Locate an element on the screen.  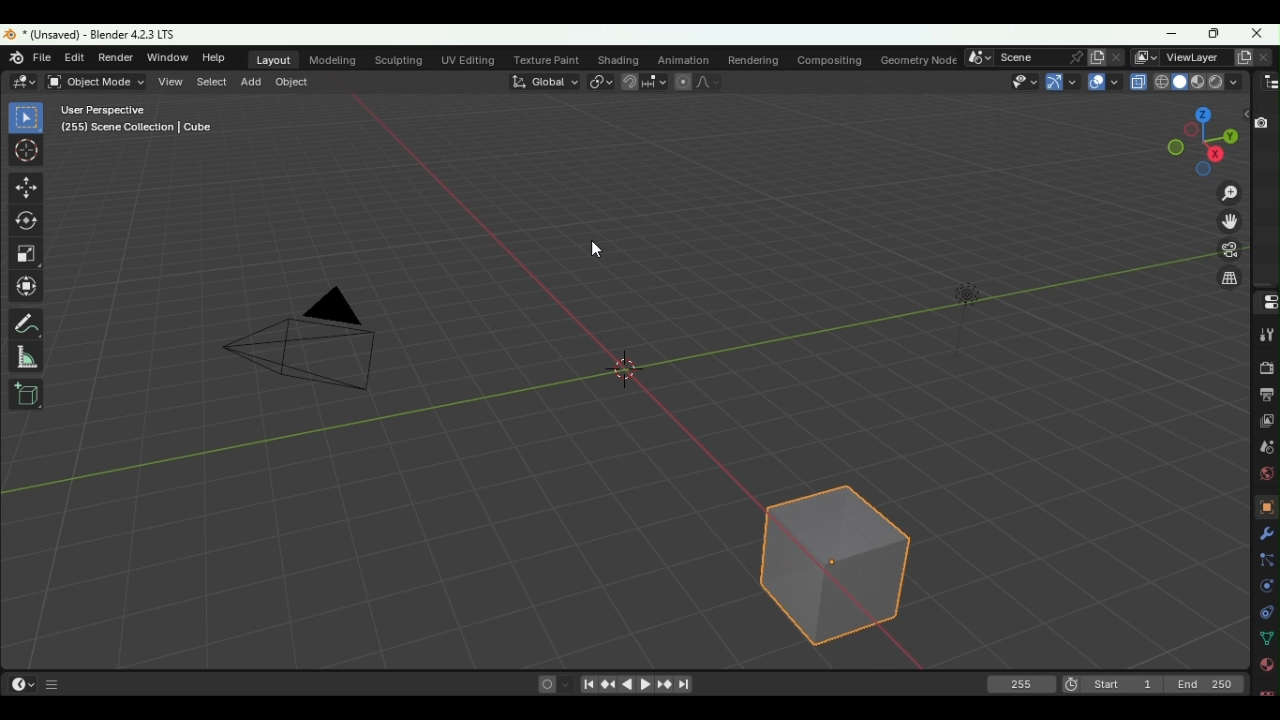
Blender logo is located at coordinates (18, 59).